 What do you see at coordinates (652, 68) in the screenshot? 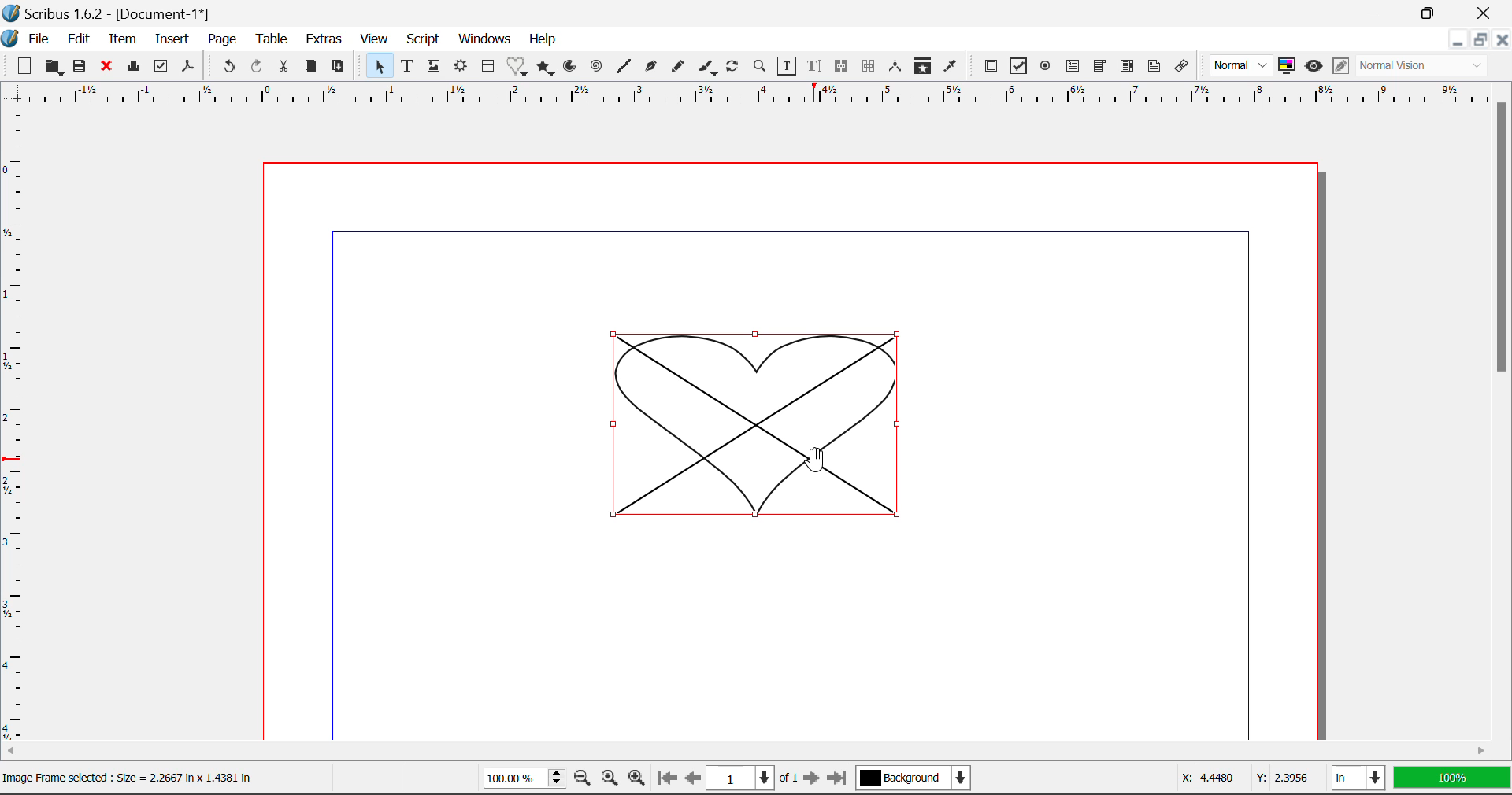
I see `Bezier Curve` at bounding box center [652, 68].